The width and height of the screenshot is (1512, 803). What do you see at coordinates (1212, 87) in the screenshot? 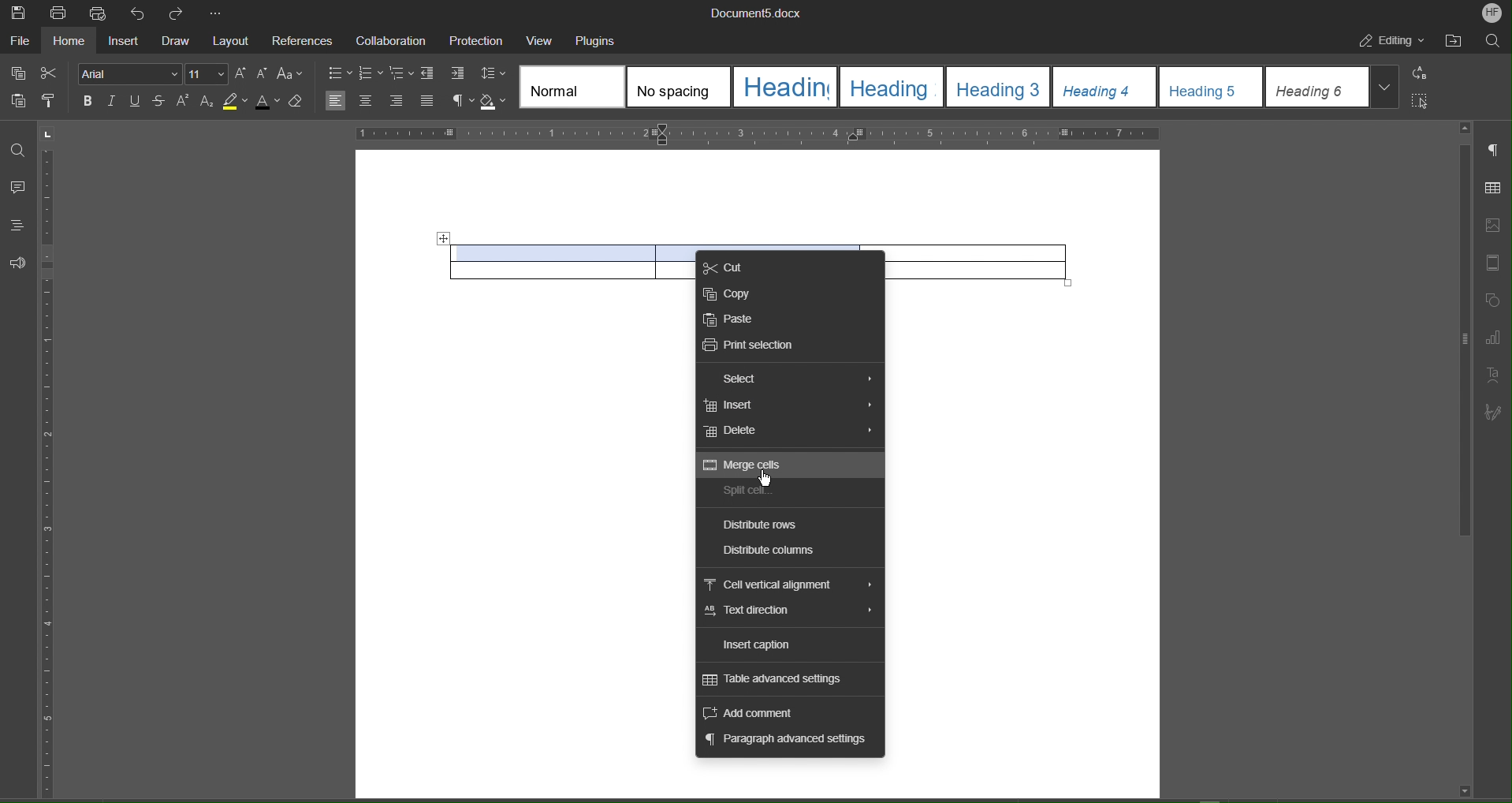
I see `heading 5` at bounding box center [1212, 87].